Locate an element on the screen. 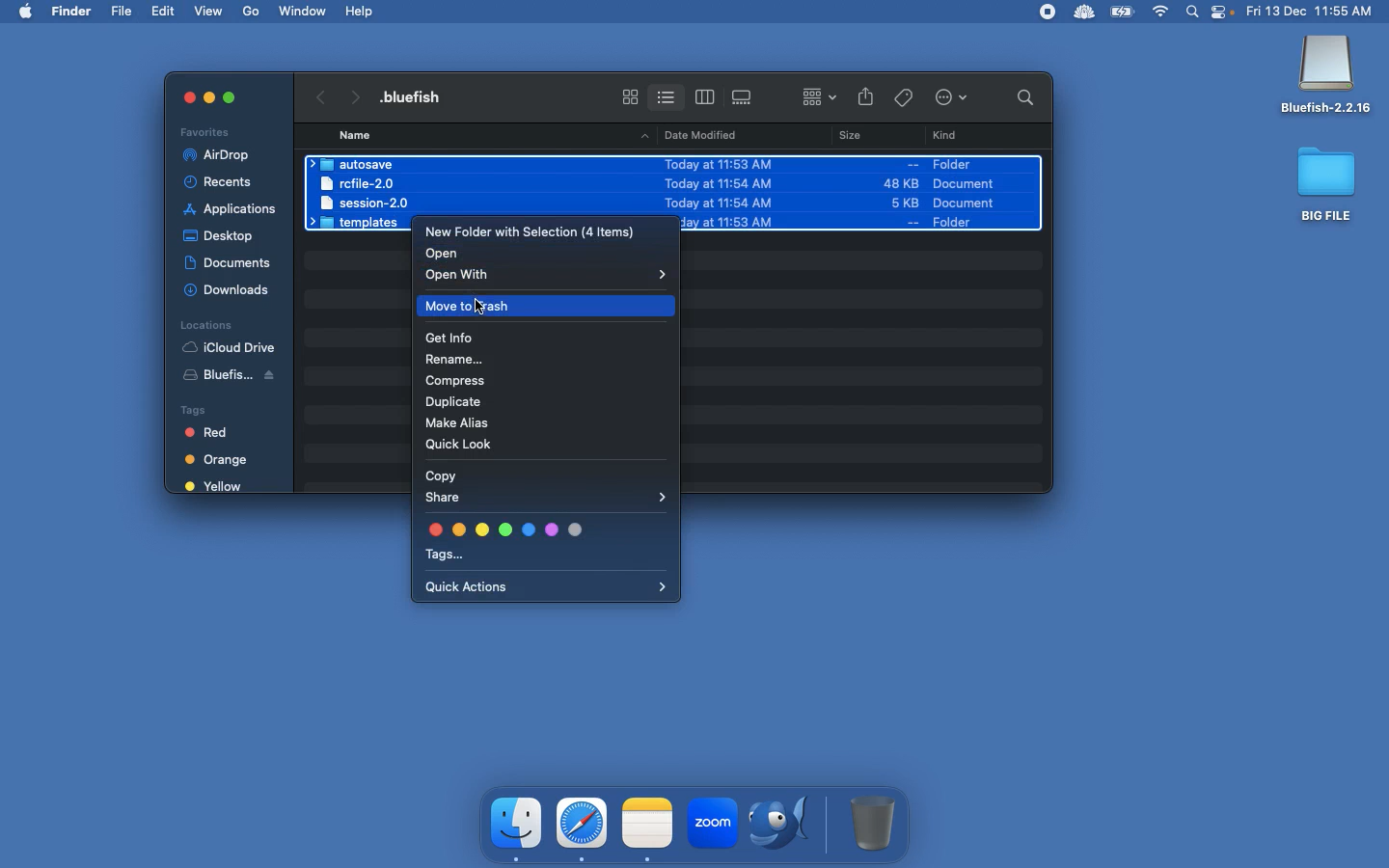  red is located at coordinates (217, 434).